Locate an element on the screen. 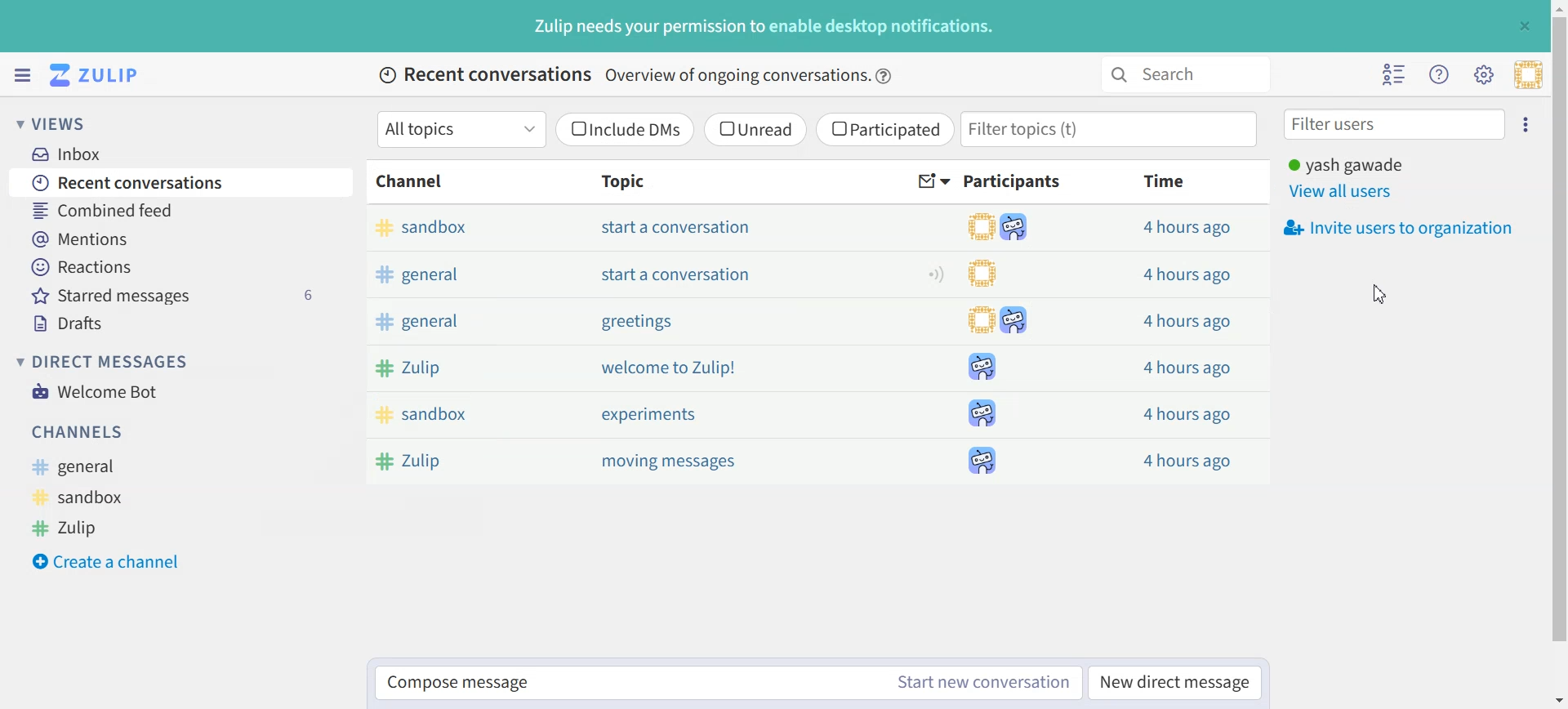 This screenshot has width=1568, height=709. 4 hours ago is located at coordinates (1187, 457).